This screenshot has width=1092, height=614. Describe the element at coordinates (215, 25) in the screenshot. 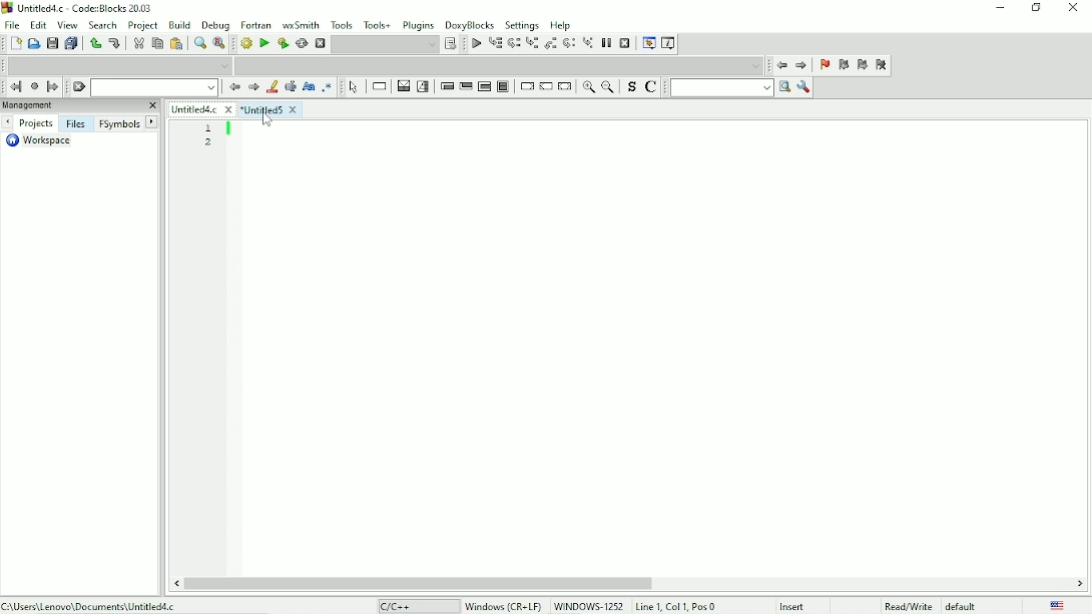

I see `Debug` at that location.